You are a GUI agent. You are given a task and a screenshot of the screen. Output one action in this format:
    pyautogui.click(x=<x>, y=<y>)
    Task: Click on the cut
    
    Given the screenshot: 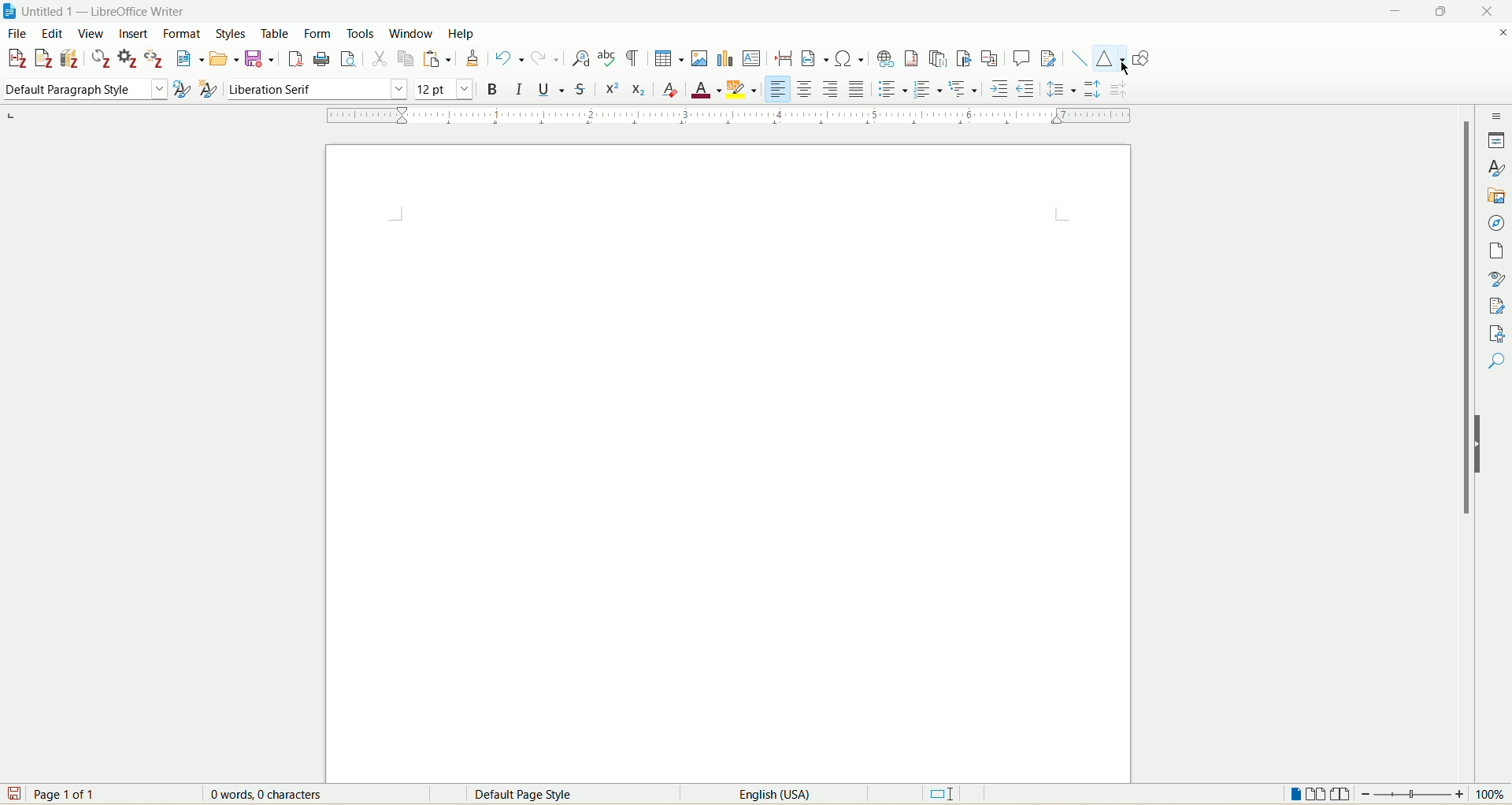 What is the action you would take?
    pyautogui.click(x=379, y=61)
    